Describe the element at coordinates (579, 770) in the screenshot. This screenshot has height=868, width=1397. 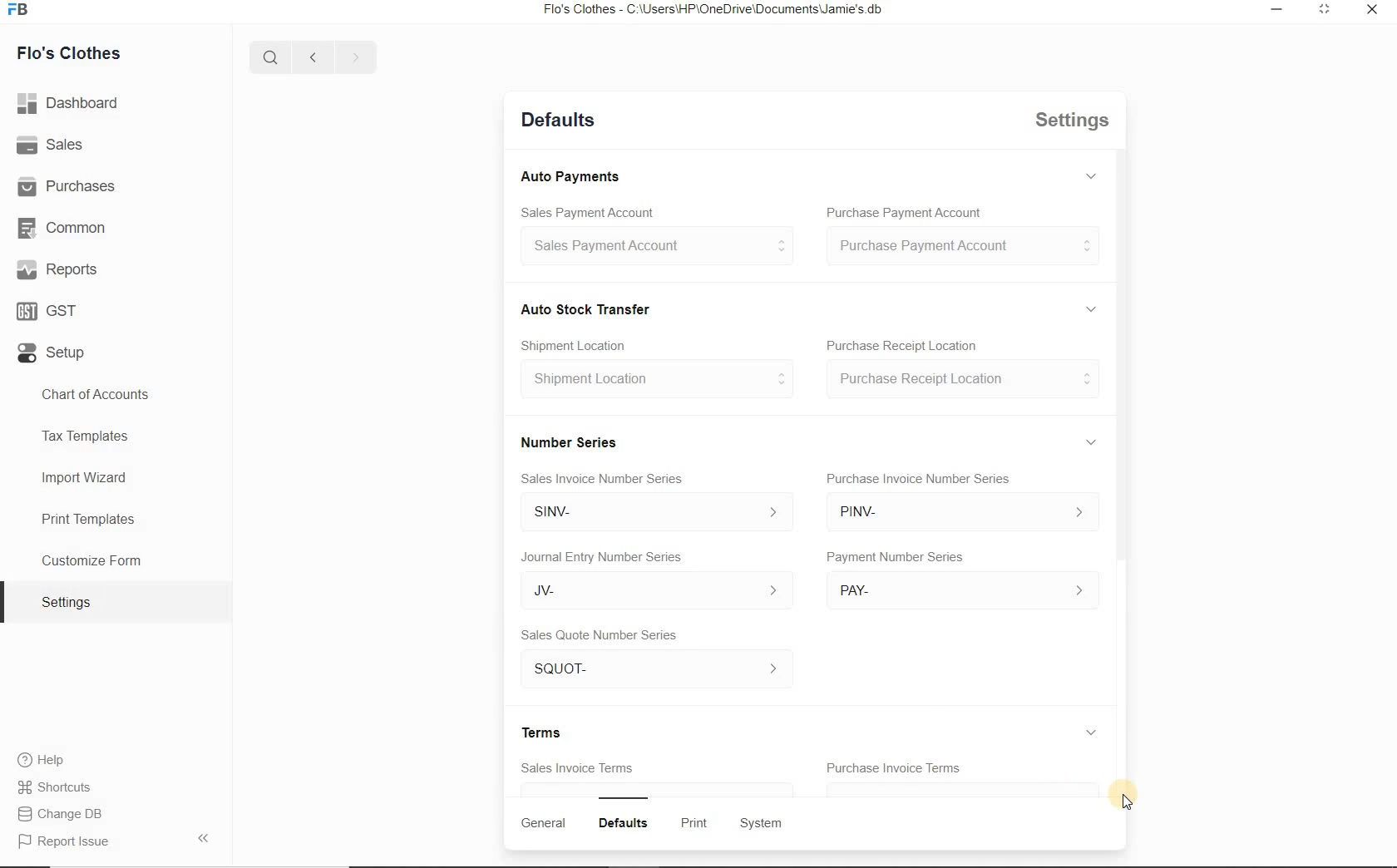
I see `Sales Invoice Terms` at that location.